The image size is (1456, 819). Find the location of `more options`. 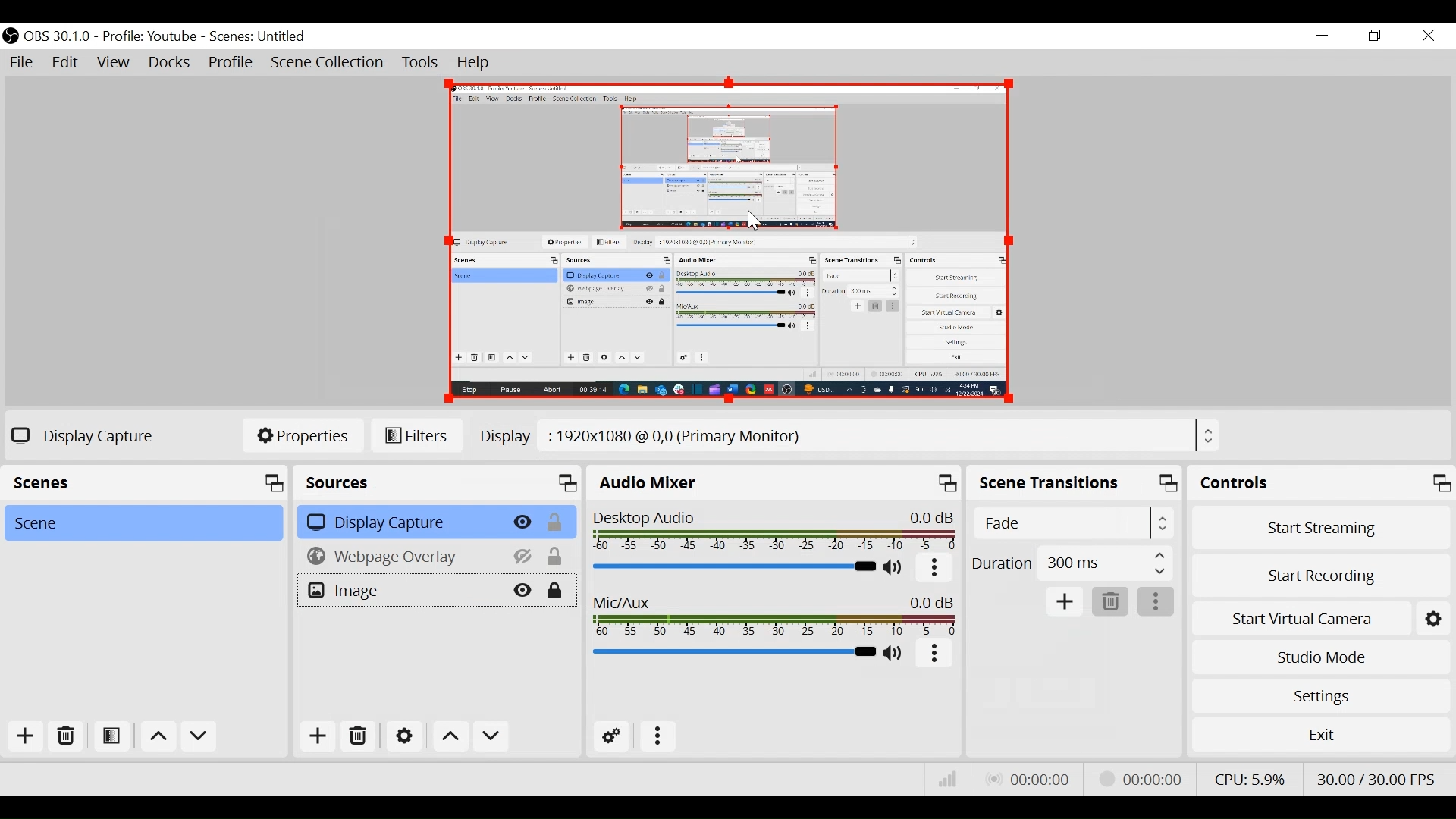

more options is located at coordinates (1156, 602).